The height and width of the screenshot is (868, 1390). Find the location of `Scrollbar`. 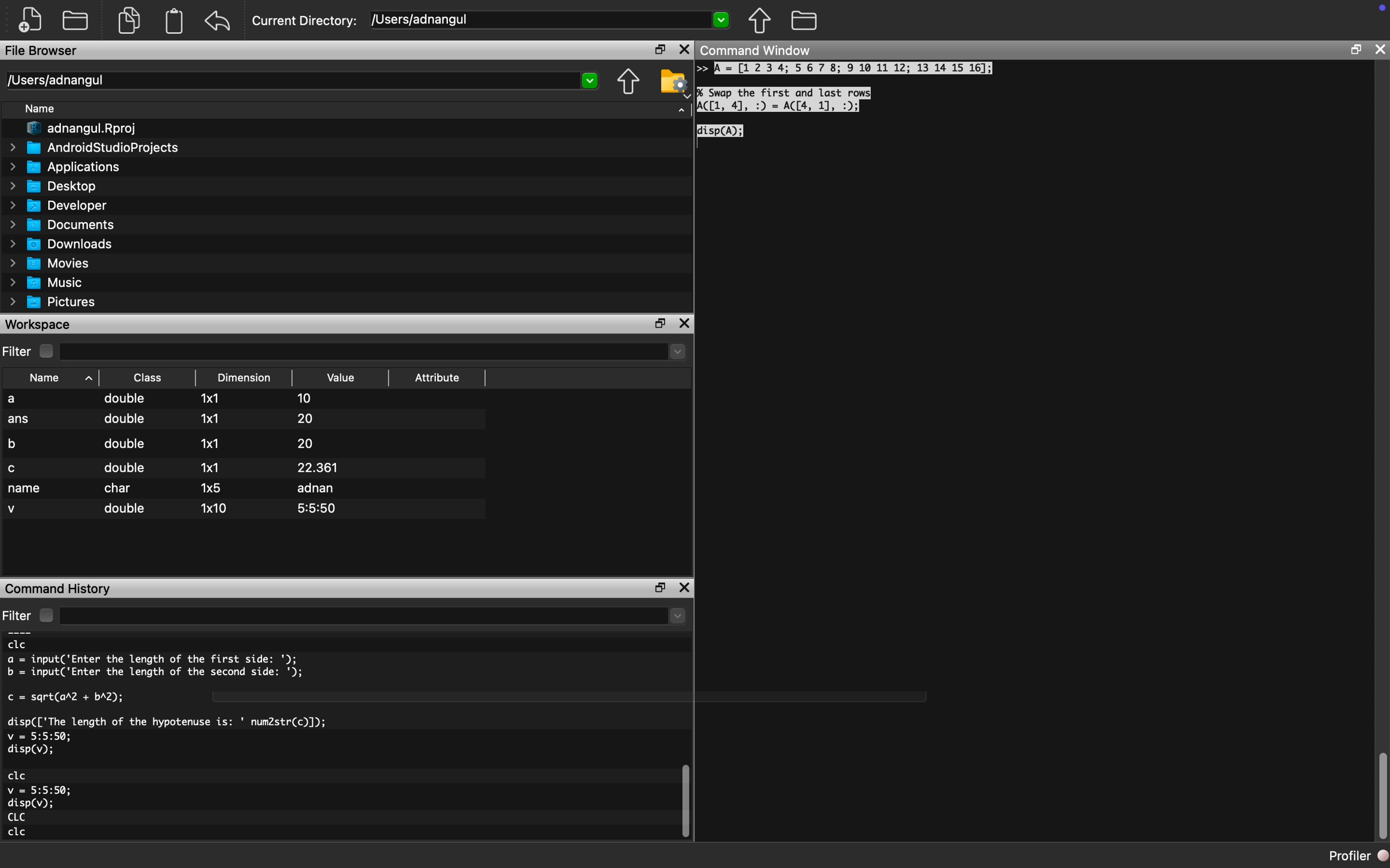

Scrollbar is located at coordinates (1375, 787).